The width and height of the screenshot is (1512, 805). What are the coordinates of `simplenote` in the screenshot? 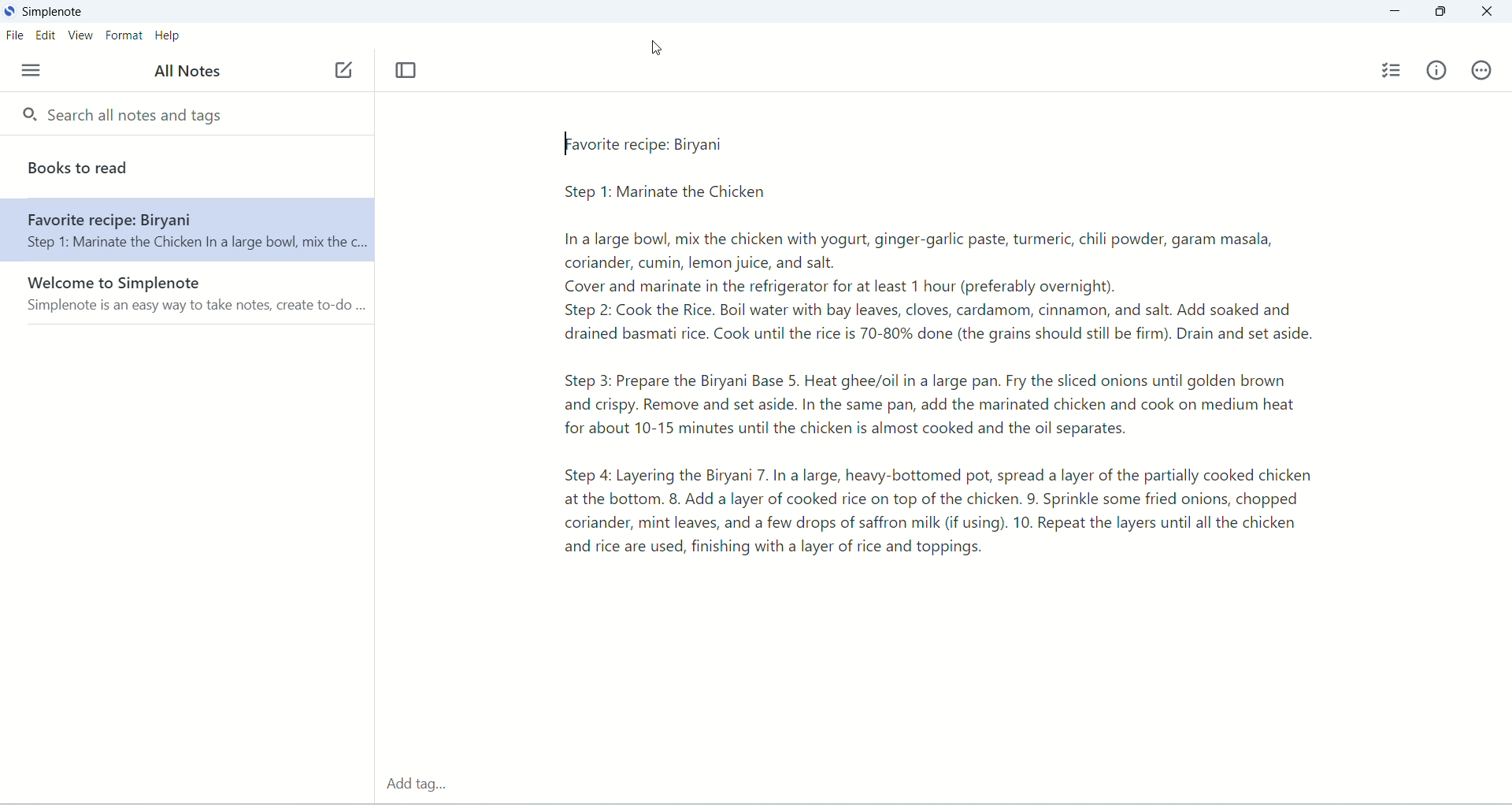 It's located at (55, 13).